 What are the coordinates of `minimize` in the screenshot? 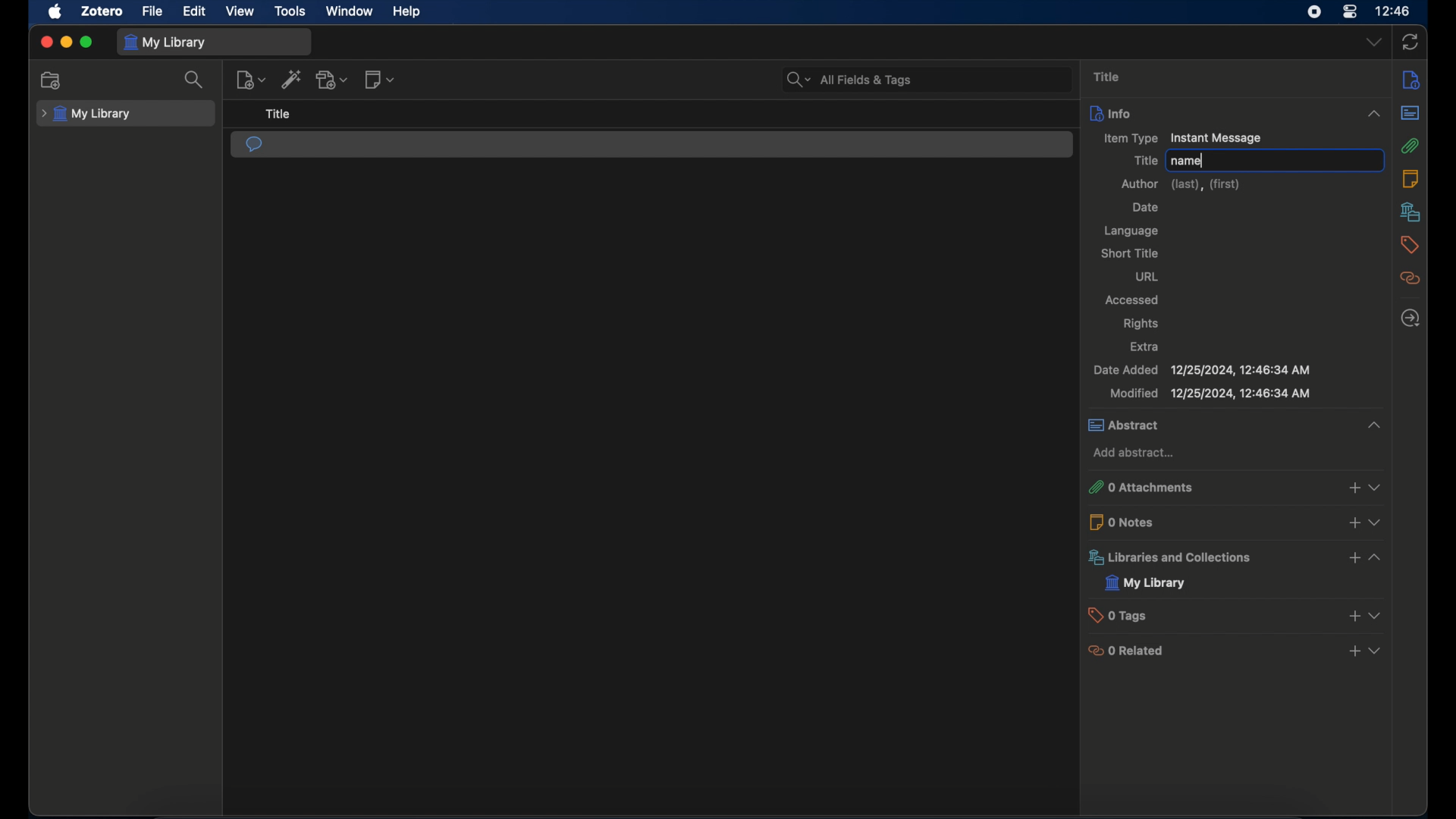 It's located at (65, 42).